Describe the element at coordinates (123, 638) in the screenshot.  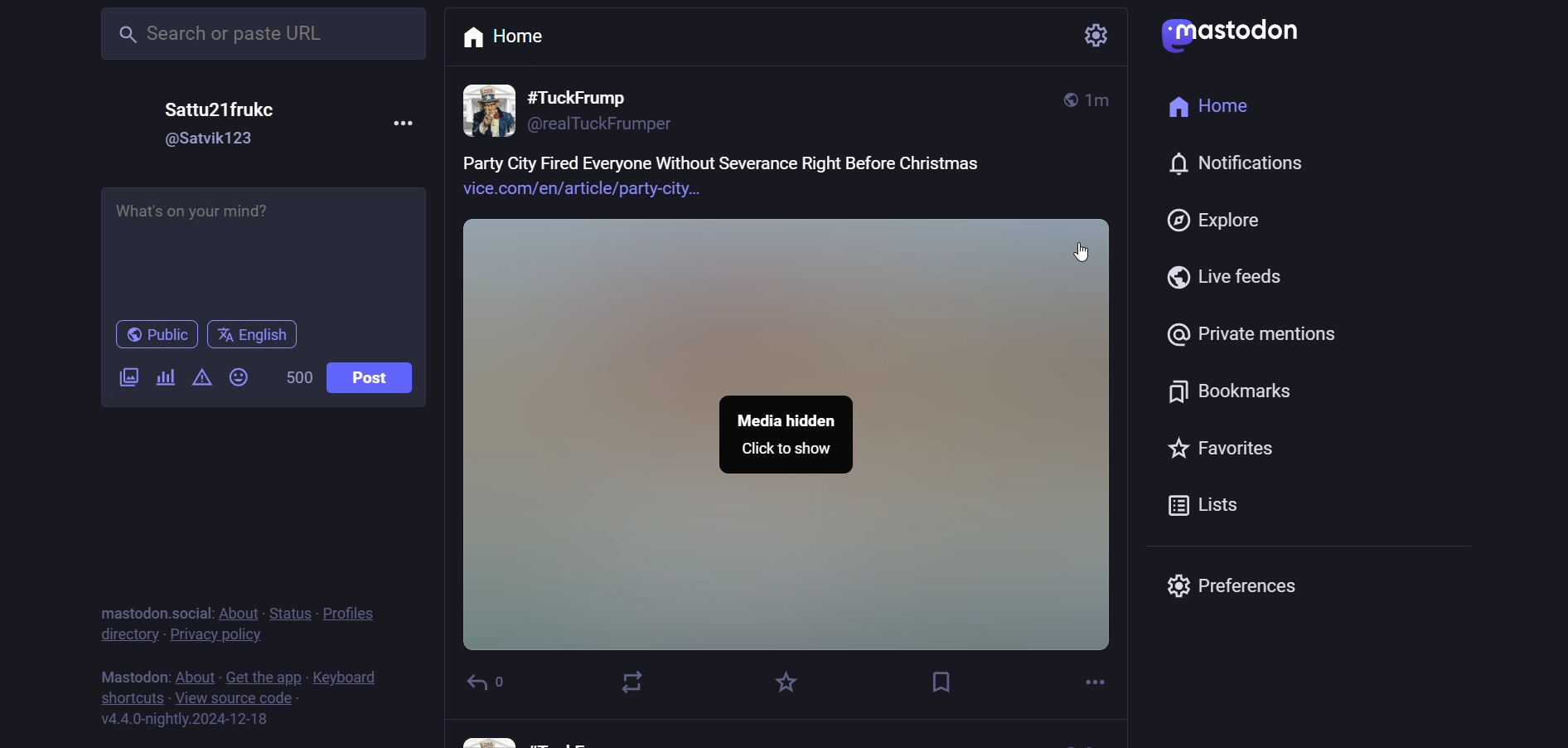
I see `directory` at that location.